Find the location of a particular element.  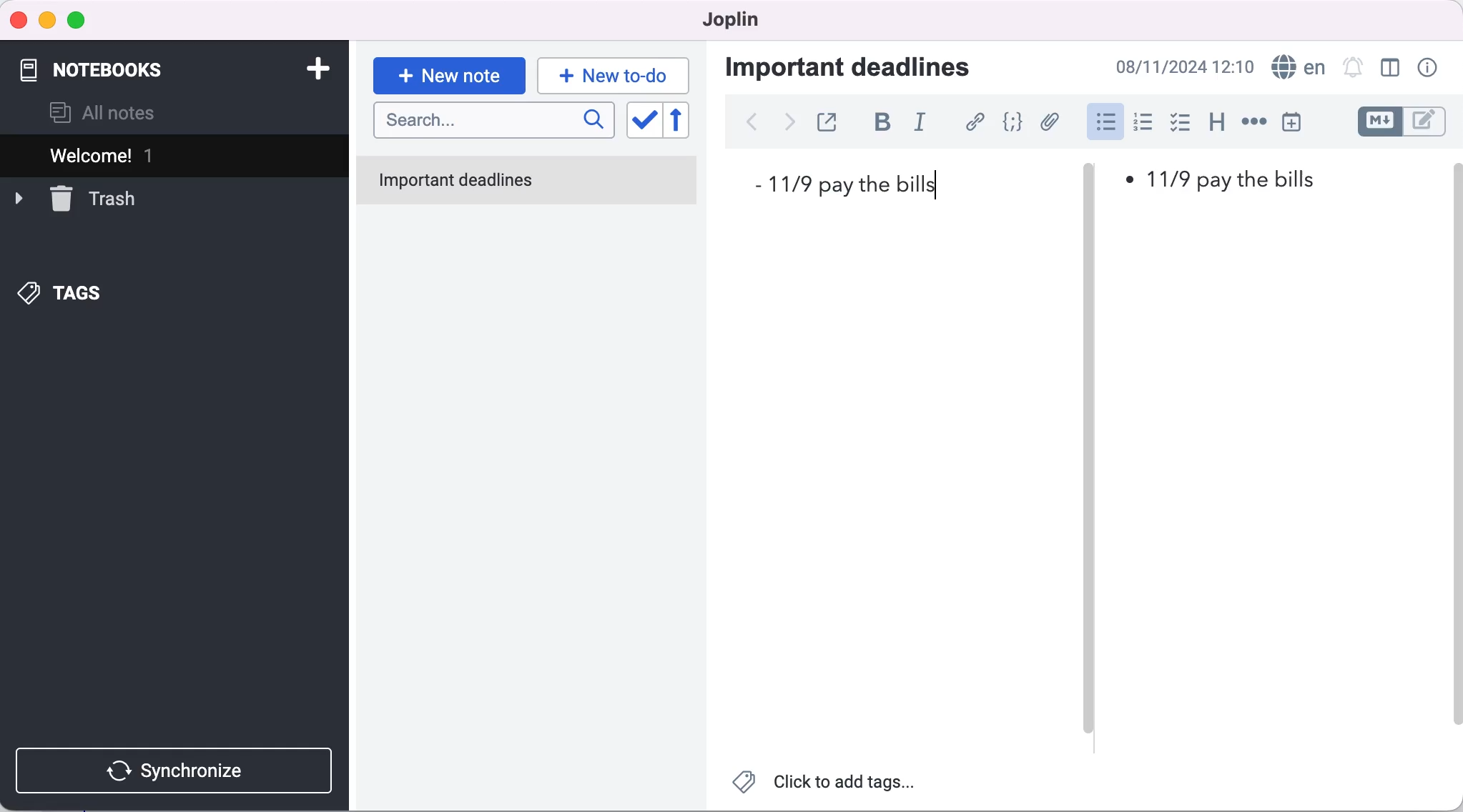

welcome 1 is located at coordinates (152, 156).